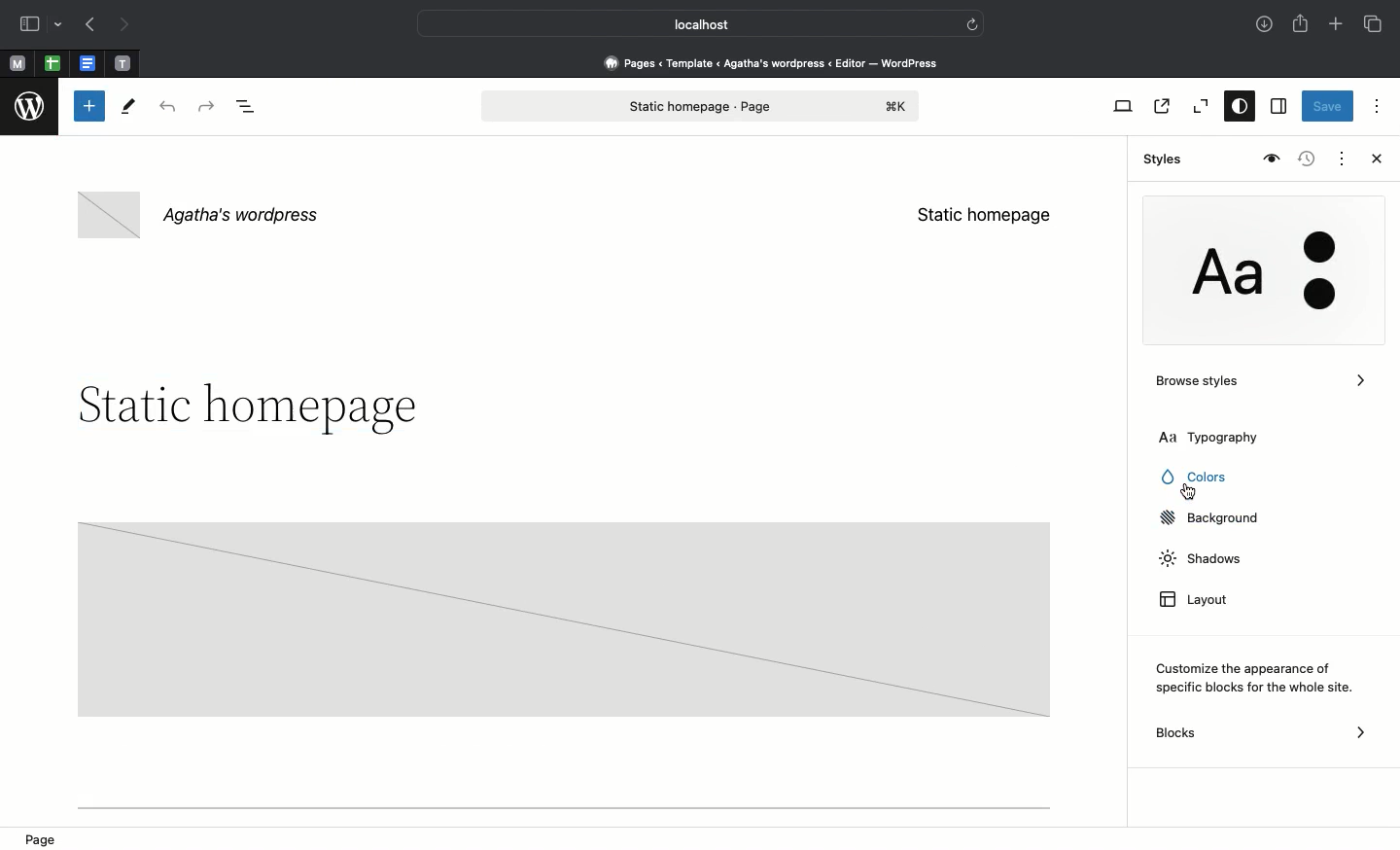  I want to click on Static homepage, so click(984, 215).